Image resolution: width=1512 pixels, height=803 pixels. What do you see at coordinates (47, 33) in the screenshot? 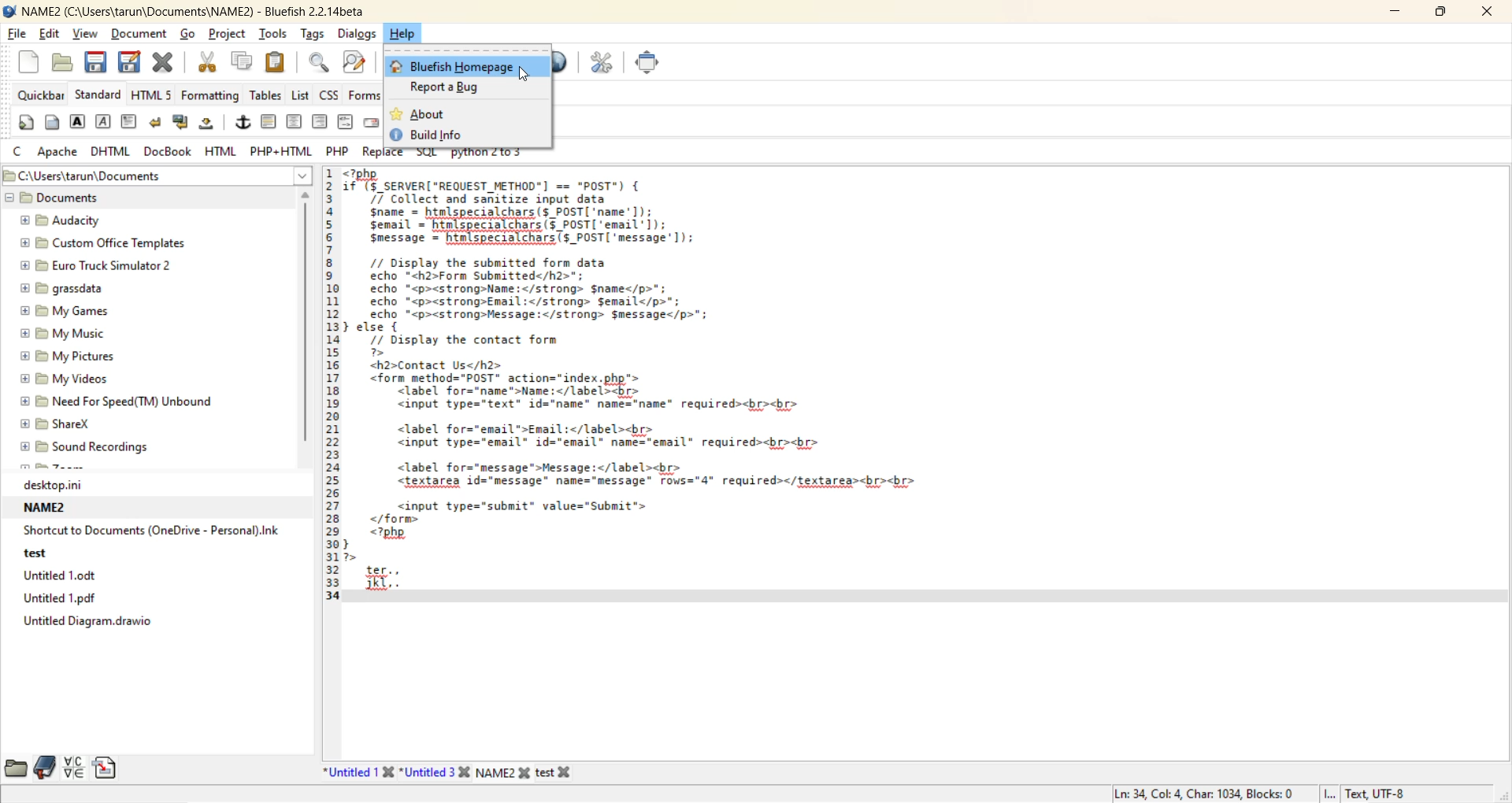
I see `edit` at bounding box center [47, 33].